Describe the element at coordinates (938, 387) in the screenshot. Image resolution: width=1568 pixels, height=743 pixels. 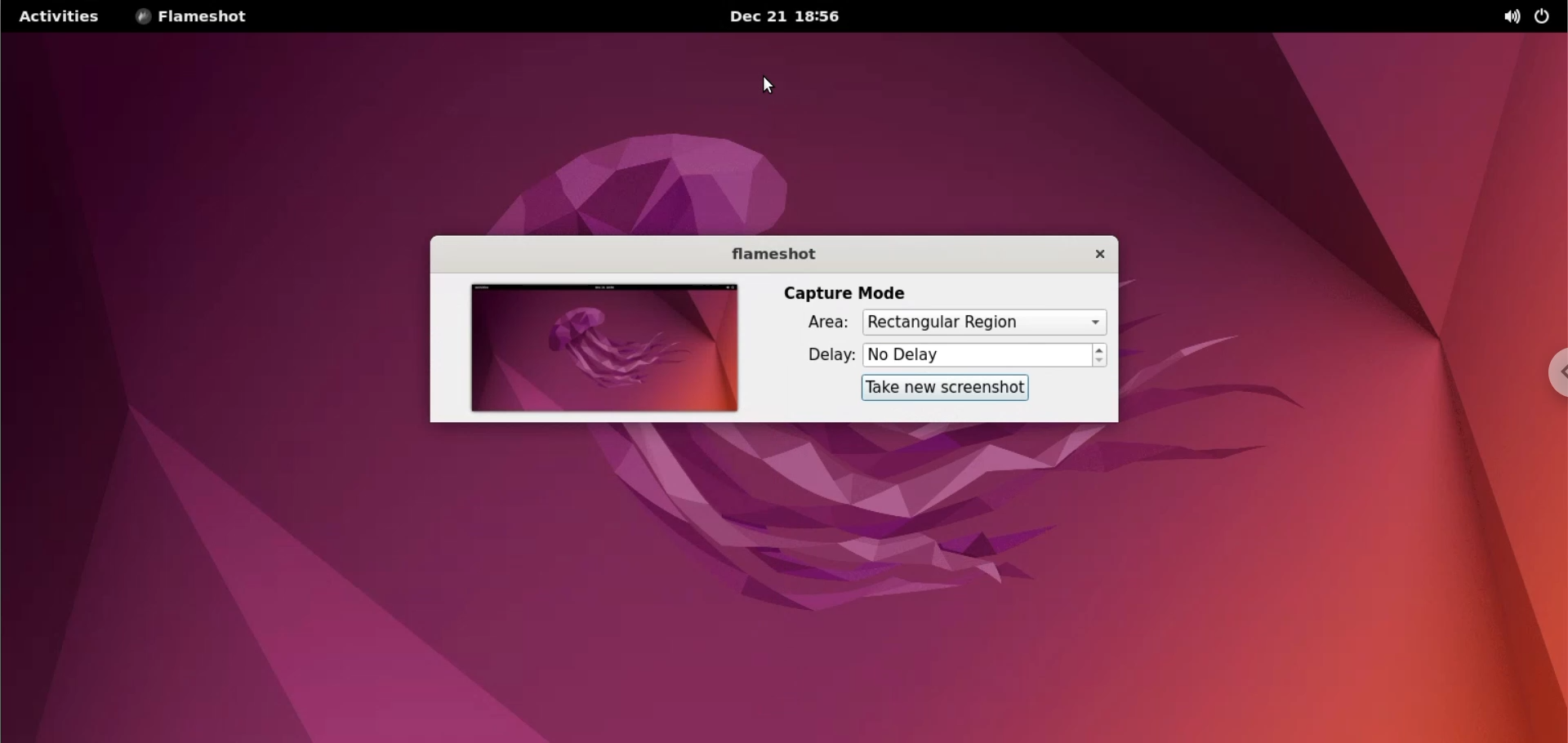
I see `take new screenshot` at that location.